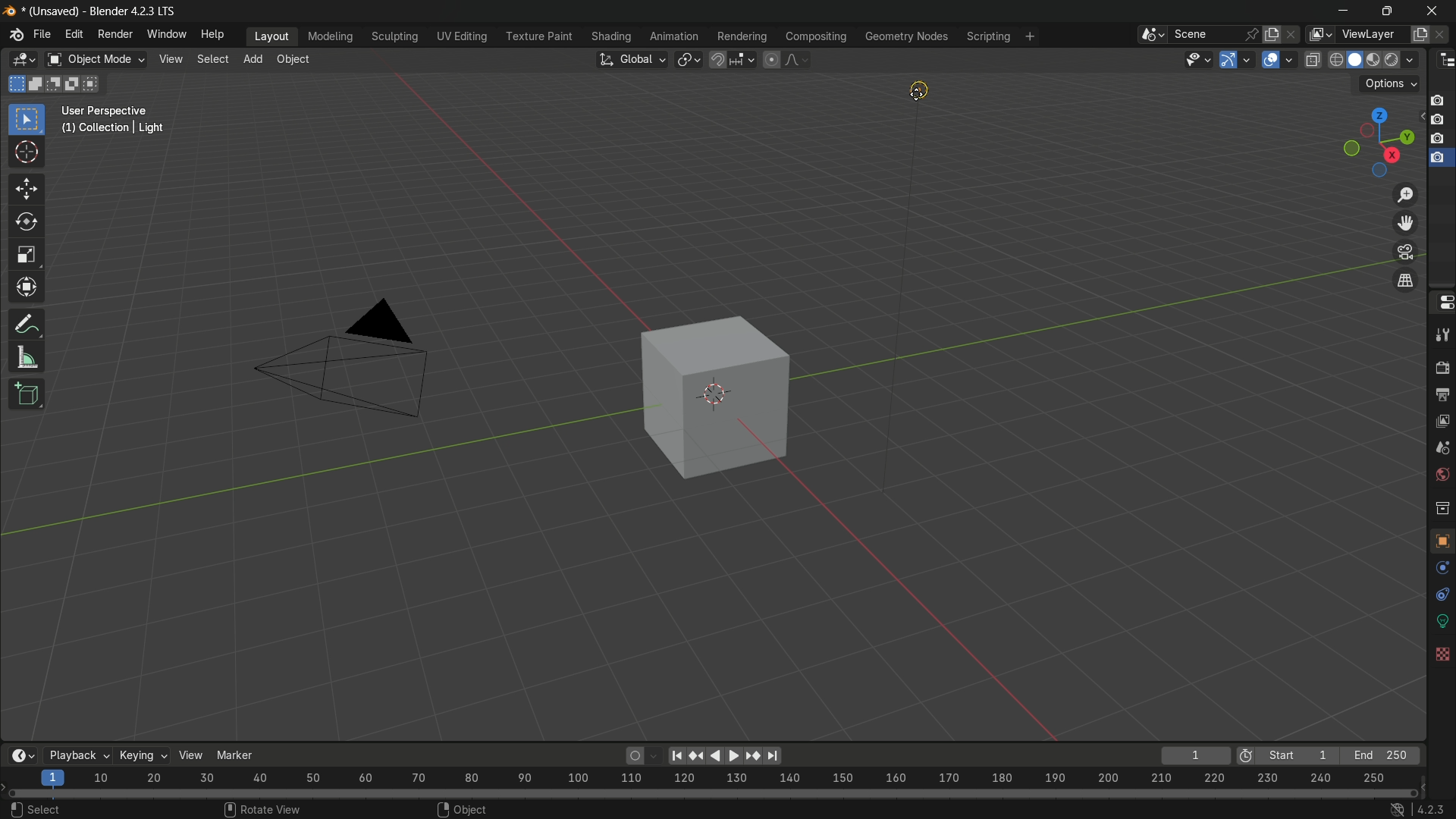 Image resolution: width=1456 pixels, height=819 pixels. What do you see at coordinates (771, 60) in the screenshot?
I see `proportional editing object` at bounding box center [771, 60].